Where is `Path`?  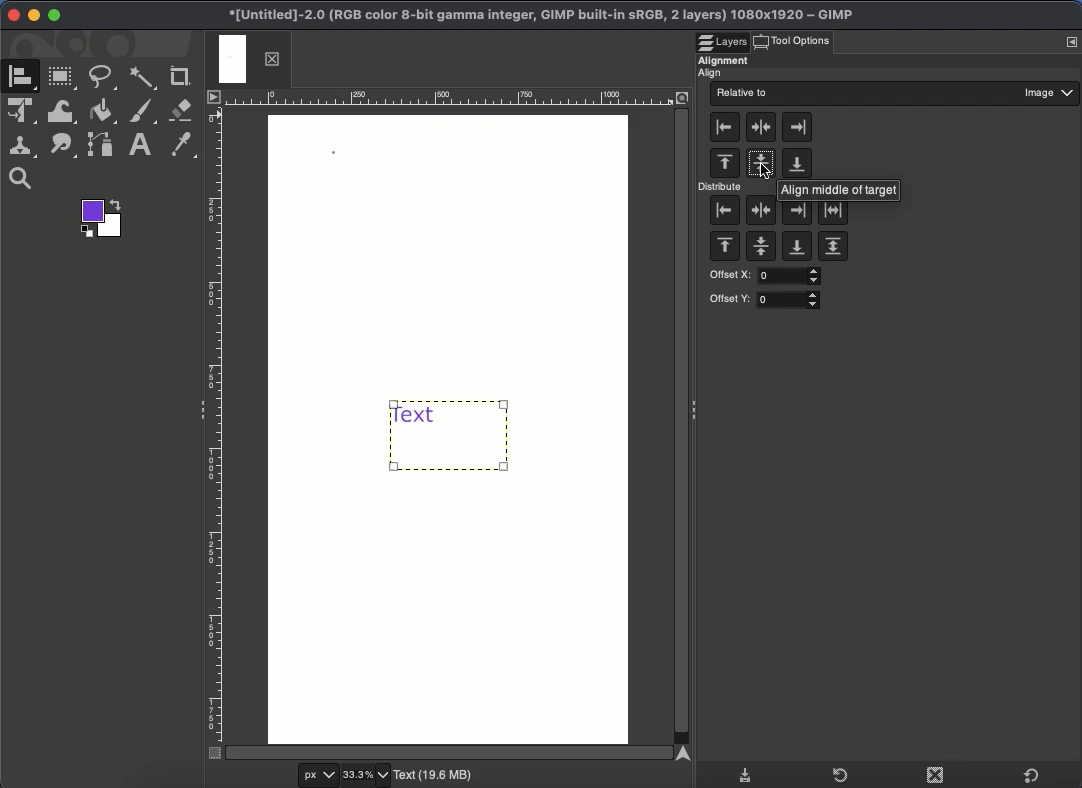 Path is located at coordinates (64, 146).